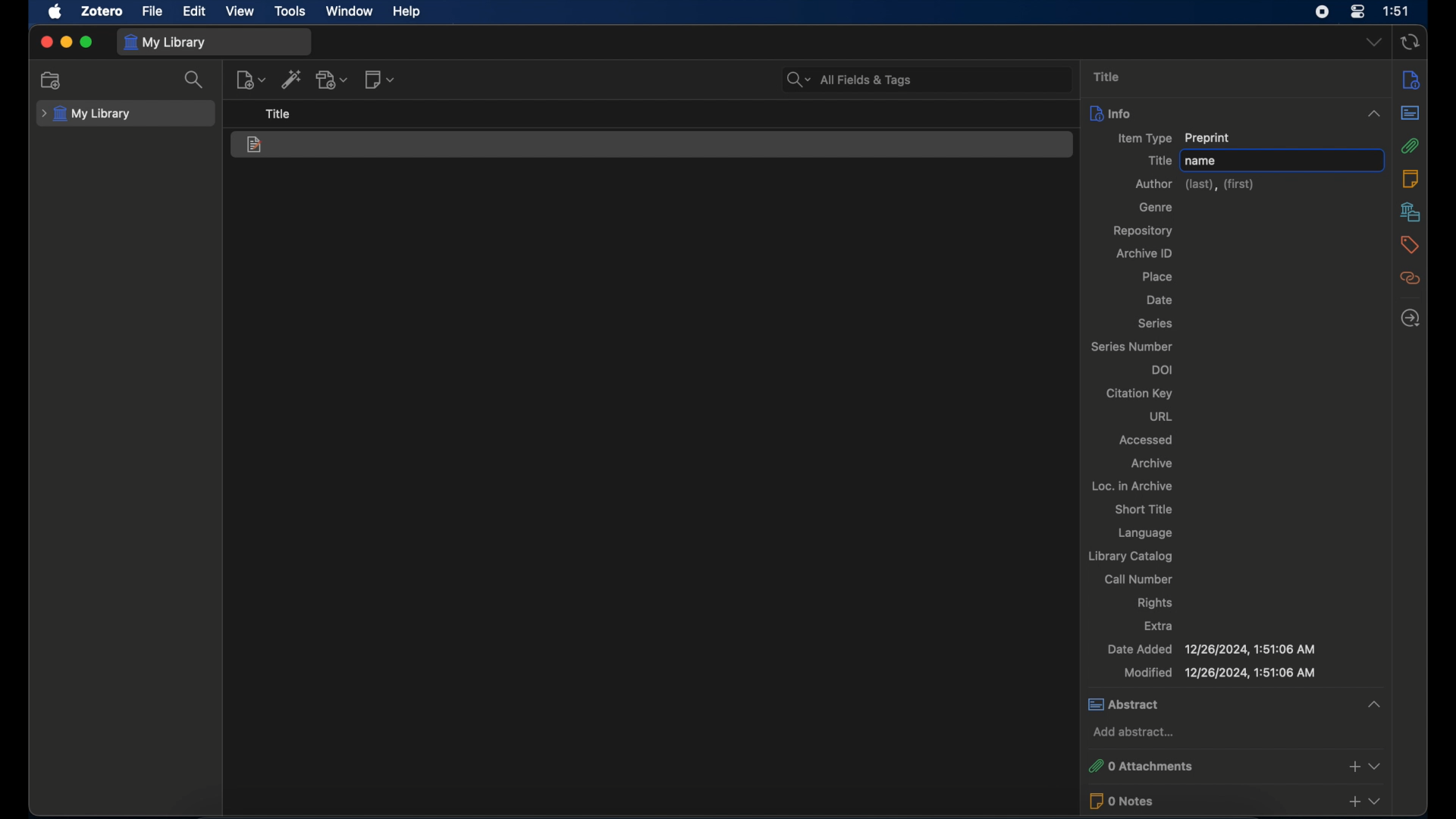 This screenshot has width=1456, height=819. I want to click on url, so click(1164, 417).